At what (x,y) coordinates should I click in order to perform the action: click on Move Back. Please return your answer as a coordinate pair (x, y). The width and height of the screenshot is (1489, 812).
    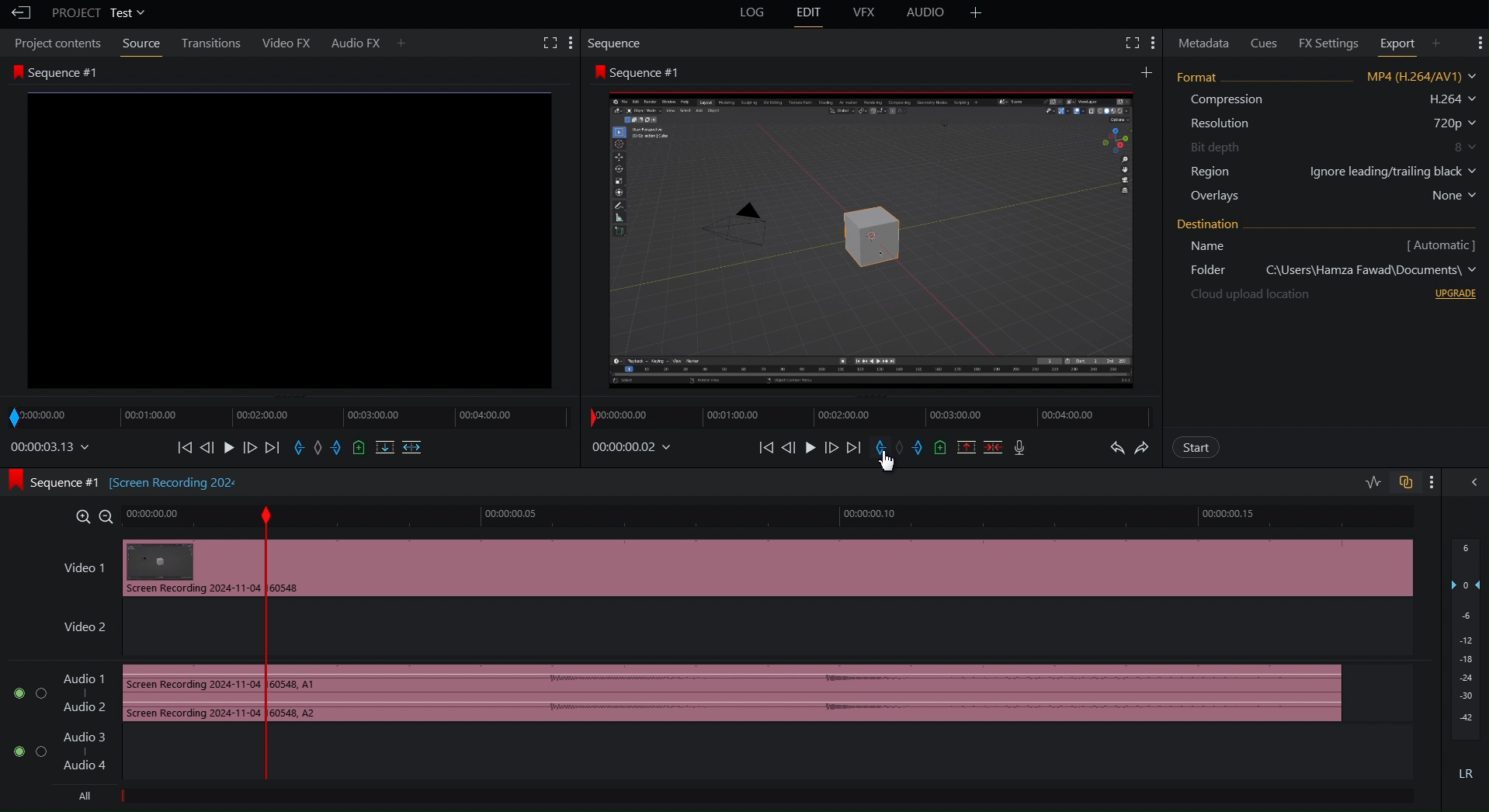
    Looking at the image, I should click on (790, 447).